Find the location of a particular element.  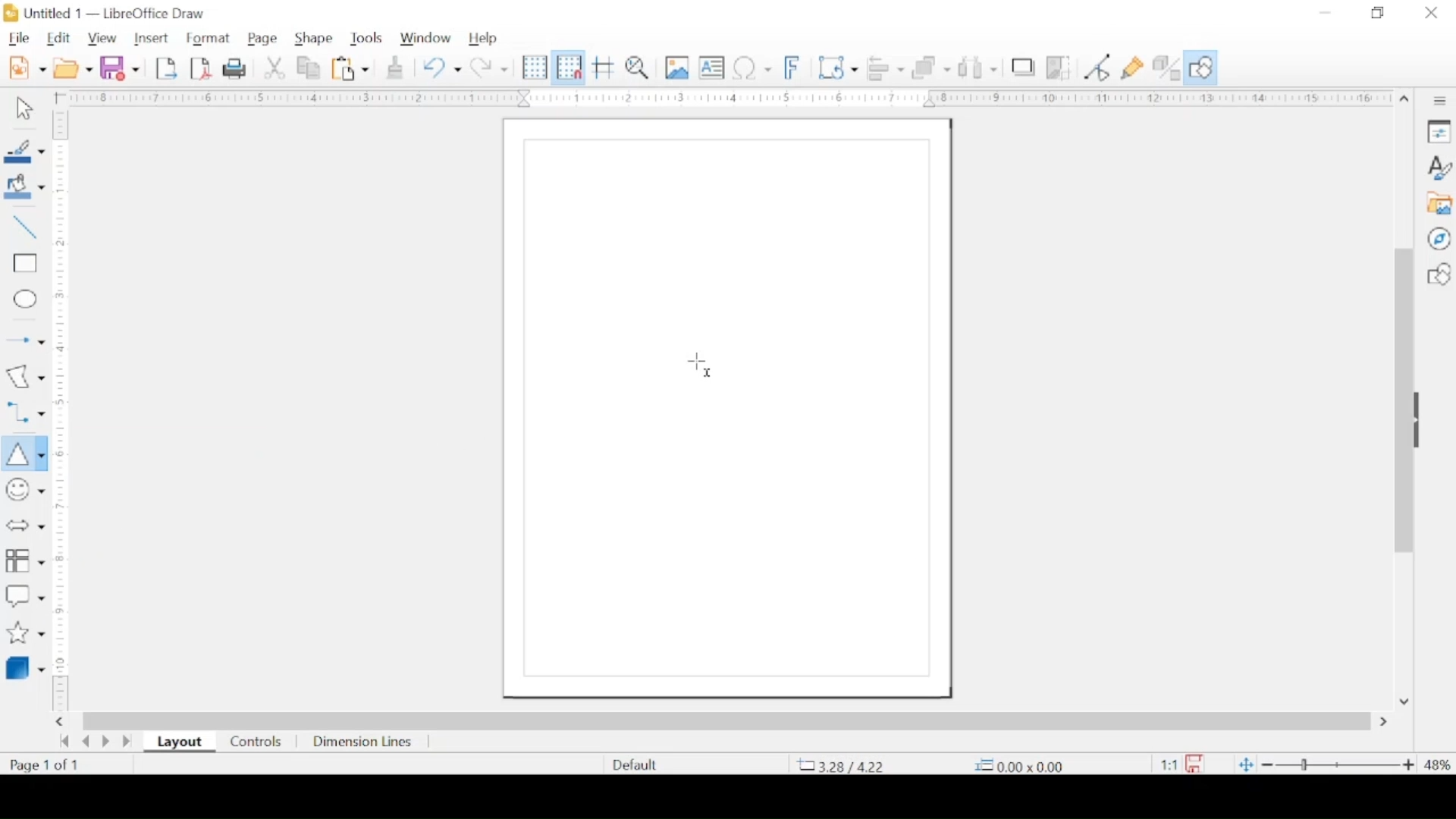

scroll down arrow is located at coordinates (1406, 701).